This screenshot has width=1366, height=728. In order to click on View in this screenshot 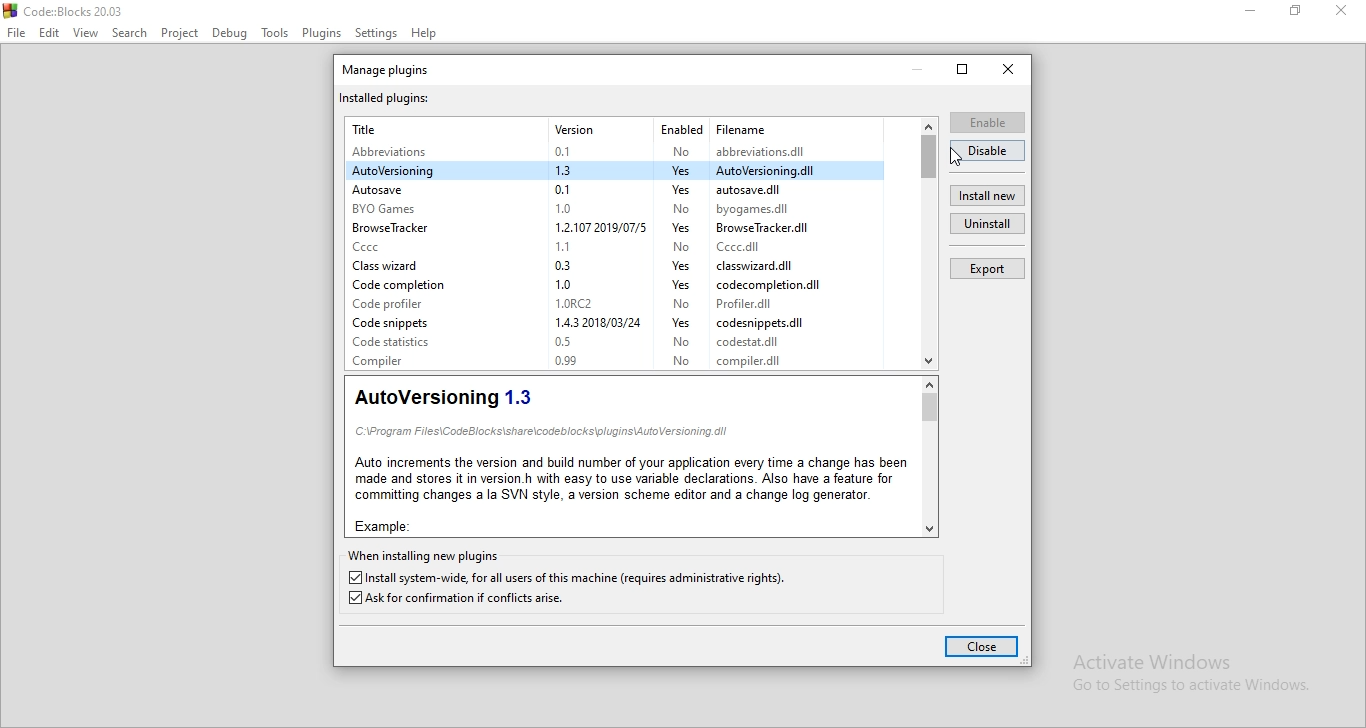, I will do `click(85, 33)`.